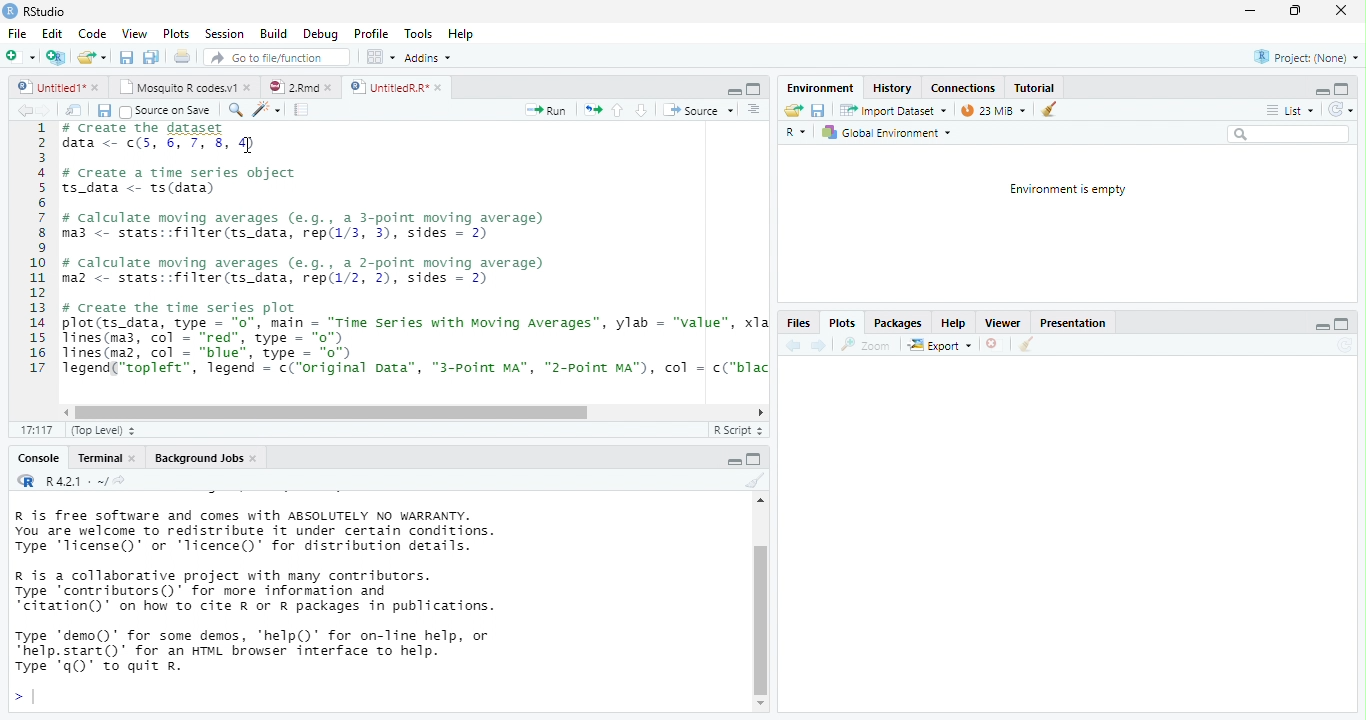 This screenshot has width=1366, height=720. What do you see at coordinates (379, 57) in the screenshot?
I see `wrokspace pan` at bounding box center [379, 57].